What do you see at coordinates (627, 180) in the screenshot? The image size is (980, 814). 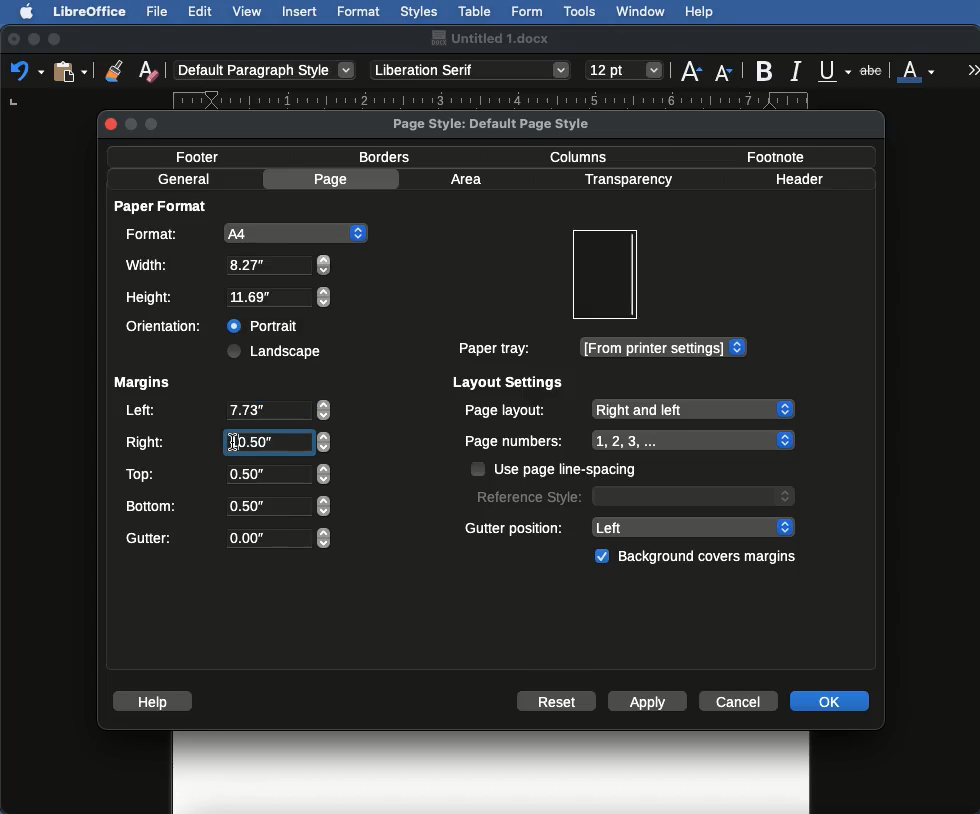 I see `Transparency` at bounding box center [627, 180].